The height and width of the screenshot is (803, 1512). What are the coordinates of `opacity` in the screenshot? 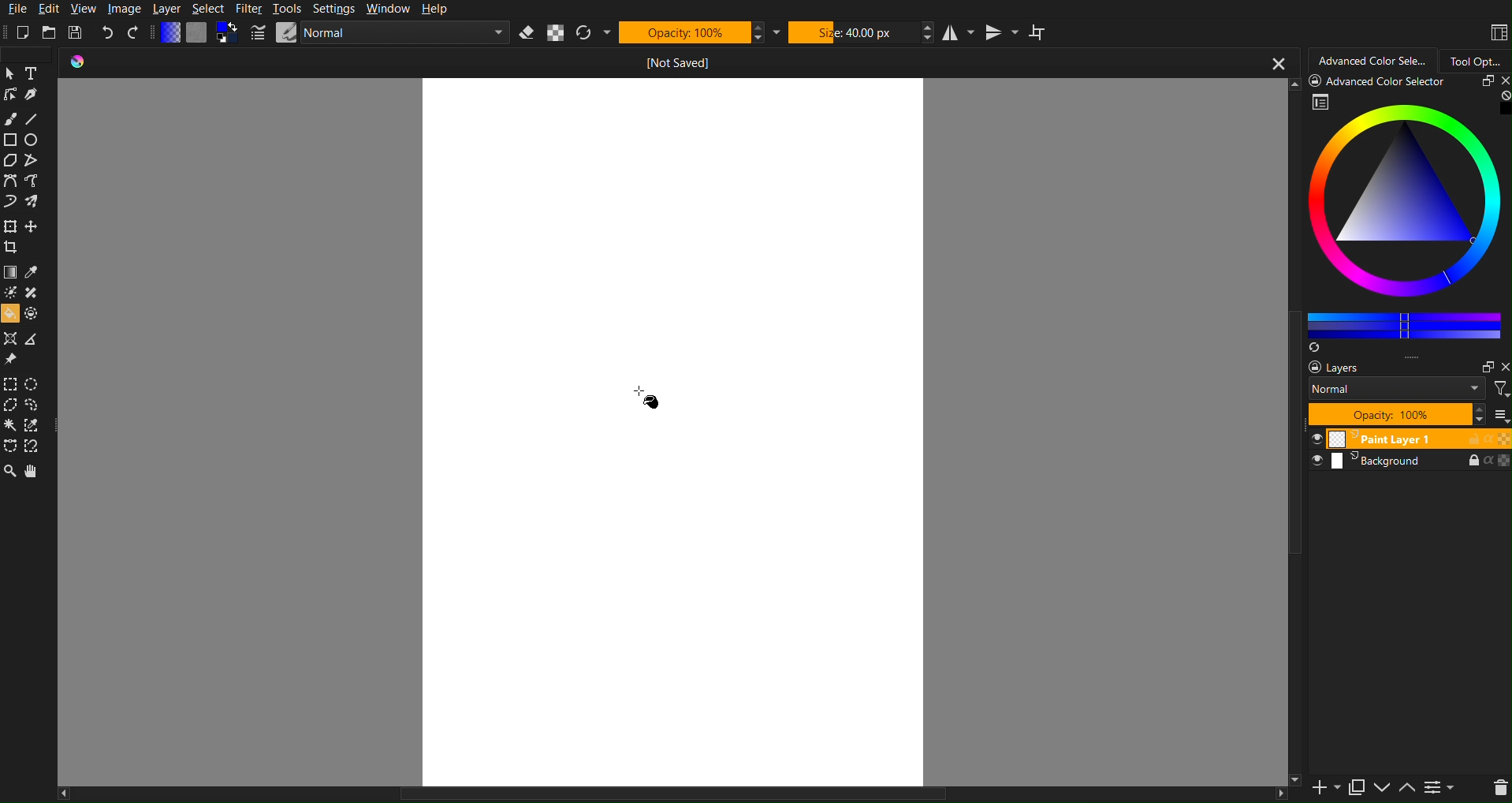 It's located at (1503, 461).